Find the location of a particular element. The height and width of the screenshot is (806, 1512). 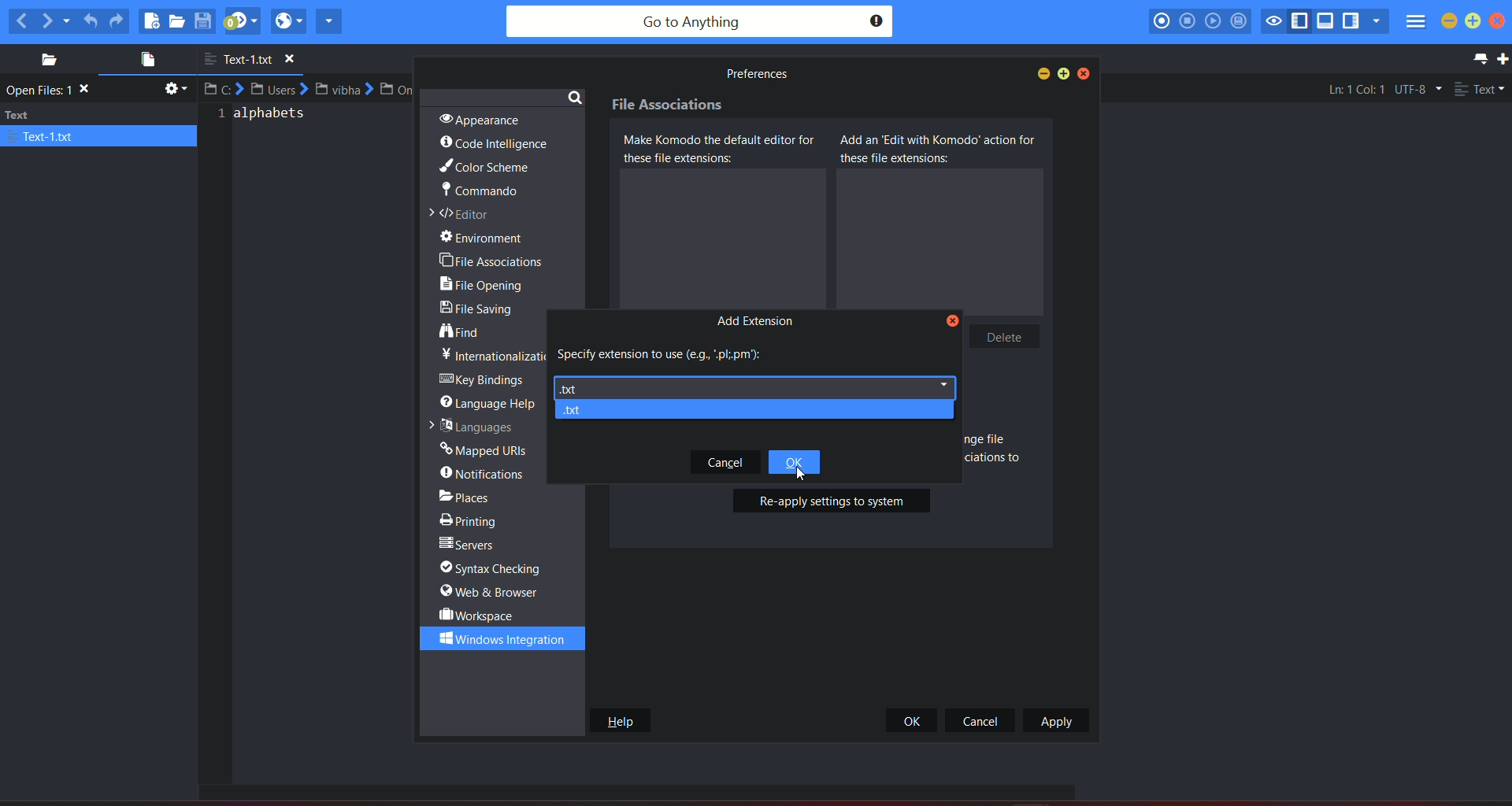

search is located at coordinates (575, 96).